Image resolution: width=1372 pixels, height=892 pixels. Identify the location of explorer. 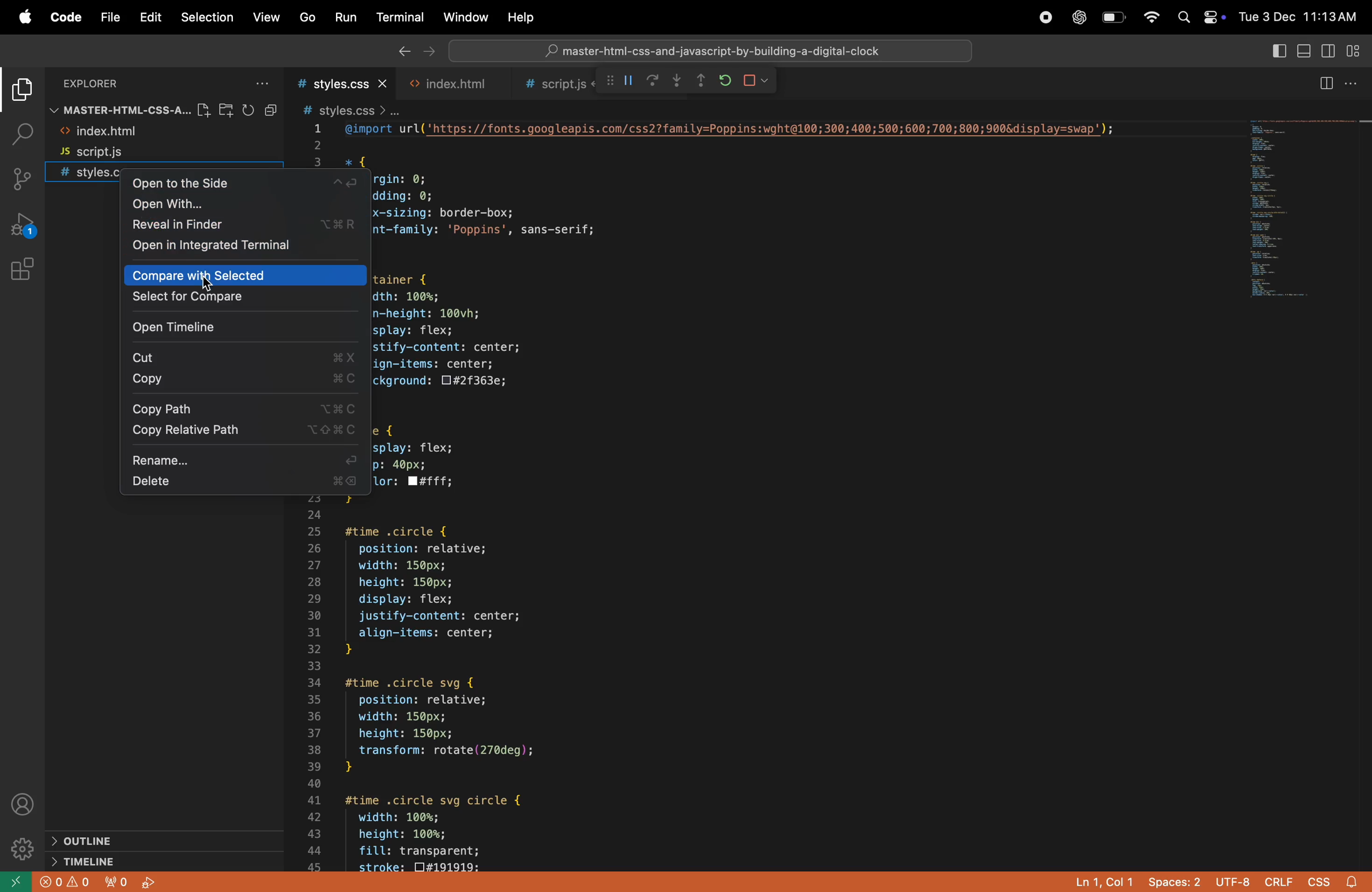
(20, 91).